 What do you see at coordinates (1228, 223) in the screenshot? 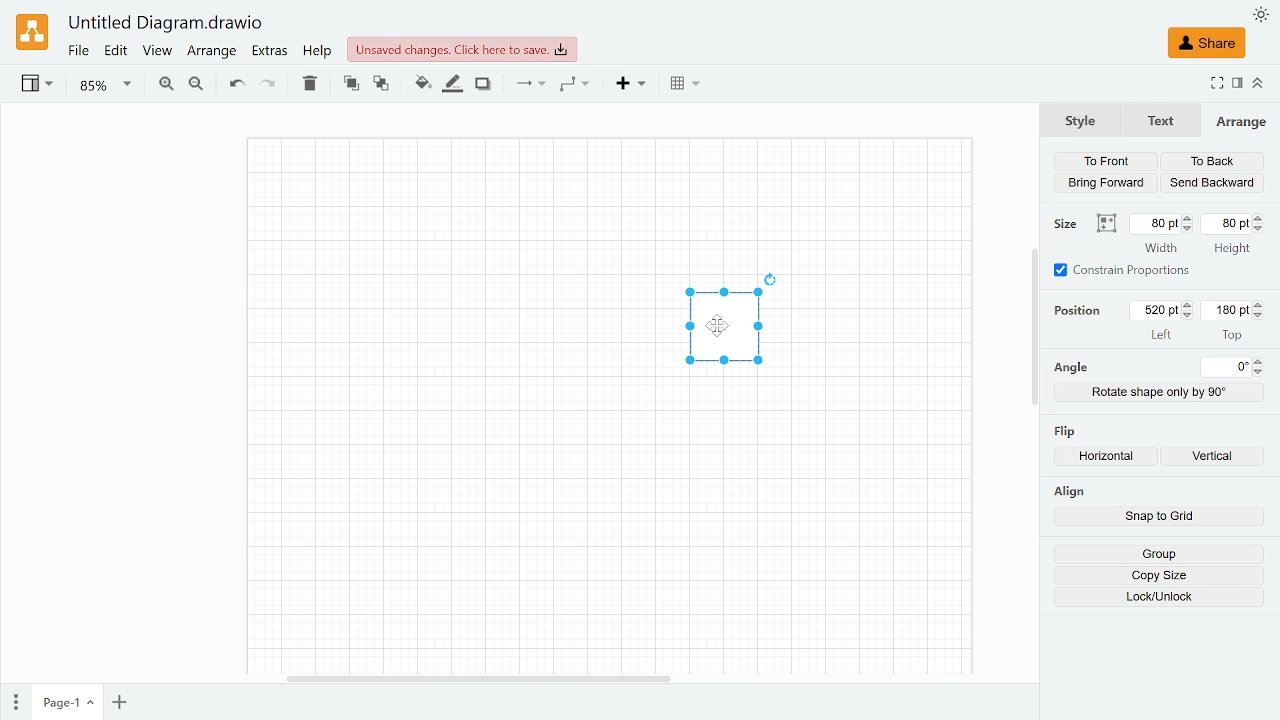
I see `Current height` at bounding box center [1228, 223].